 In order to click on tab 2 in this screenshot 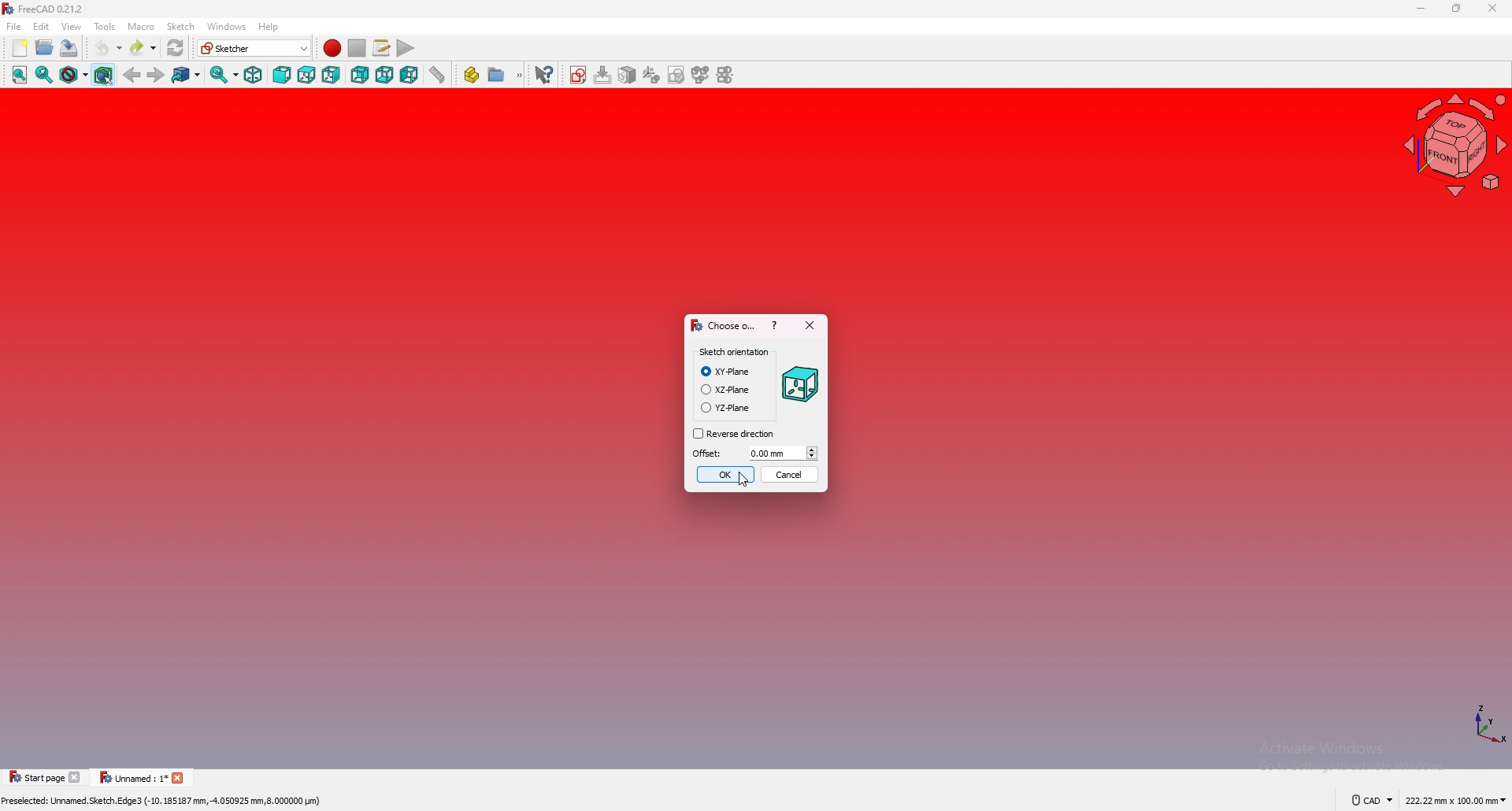, I will do `click(143, 779)`.